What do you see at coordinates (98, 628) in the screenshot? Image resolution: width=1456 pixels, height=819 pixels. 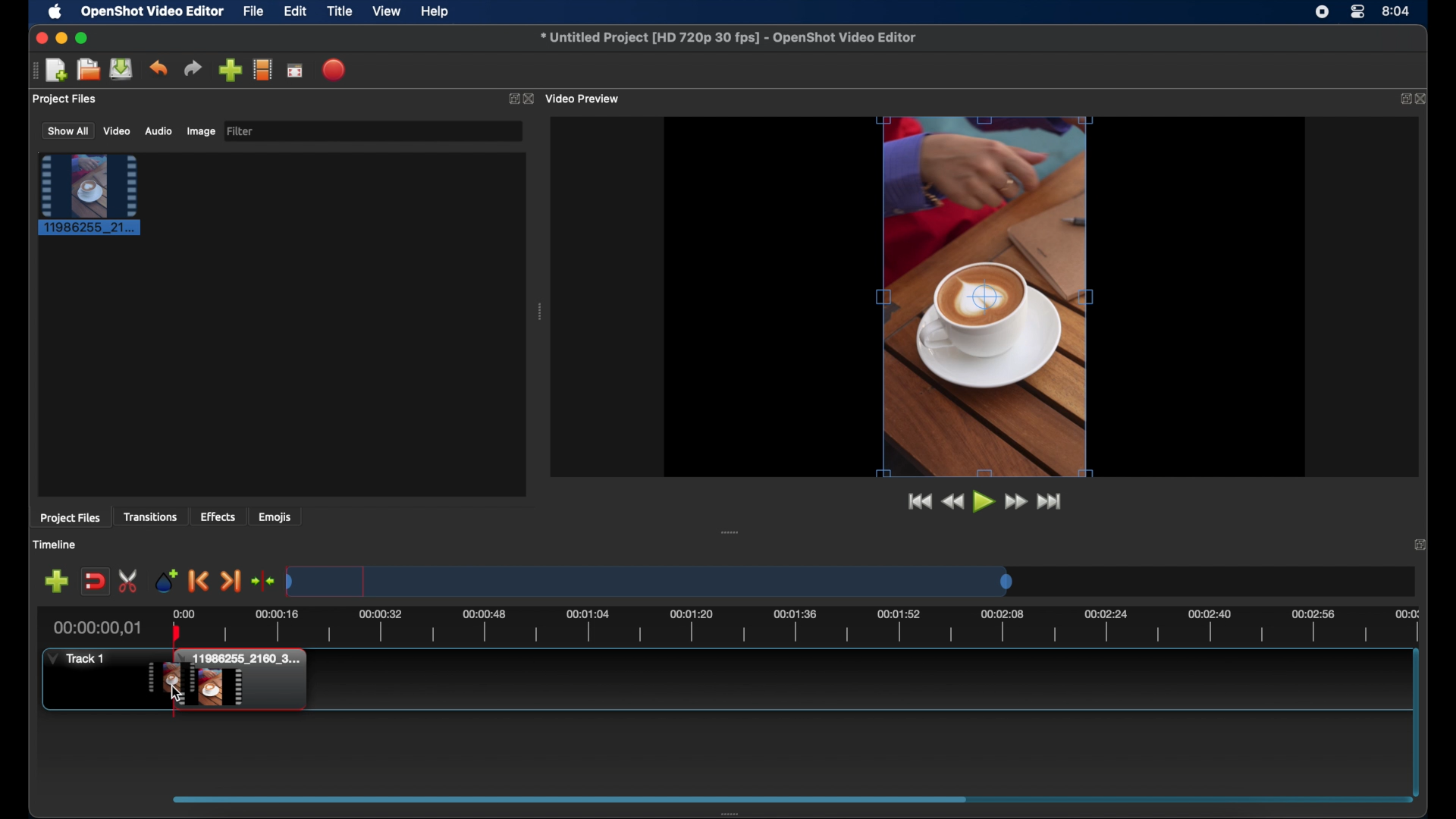 I see `current time indicator` at bounding box center [98, 628].